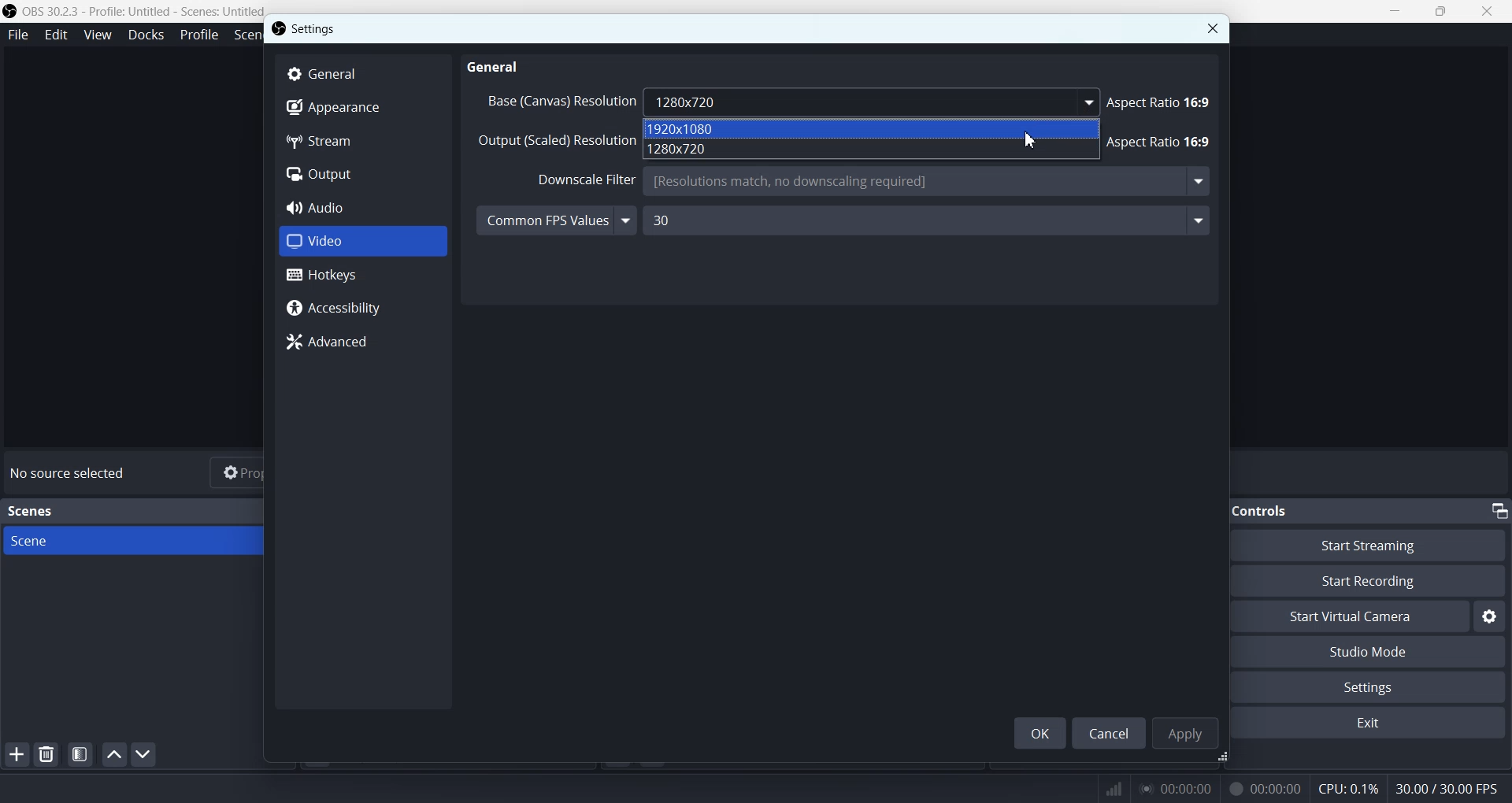  Describe the element at coordinates (1165, 142) in the screenshot. I see `Aspect ratio 18:9` at that location.